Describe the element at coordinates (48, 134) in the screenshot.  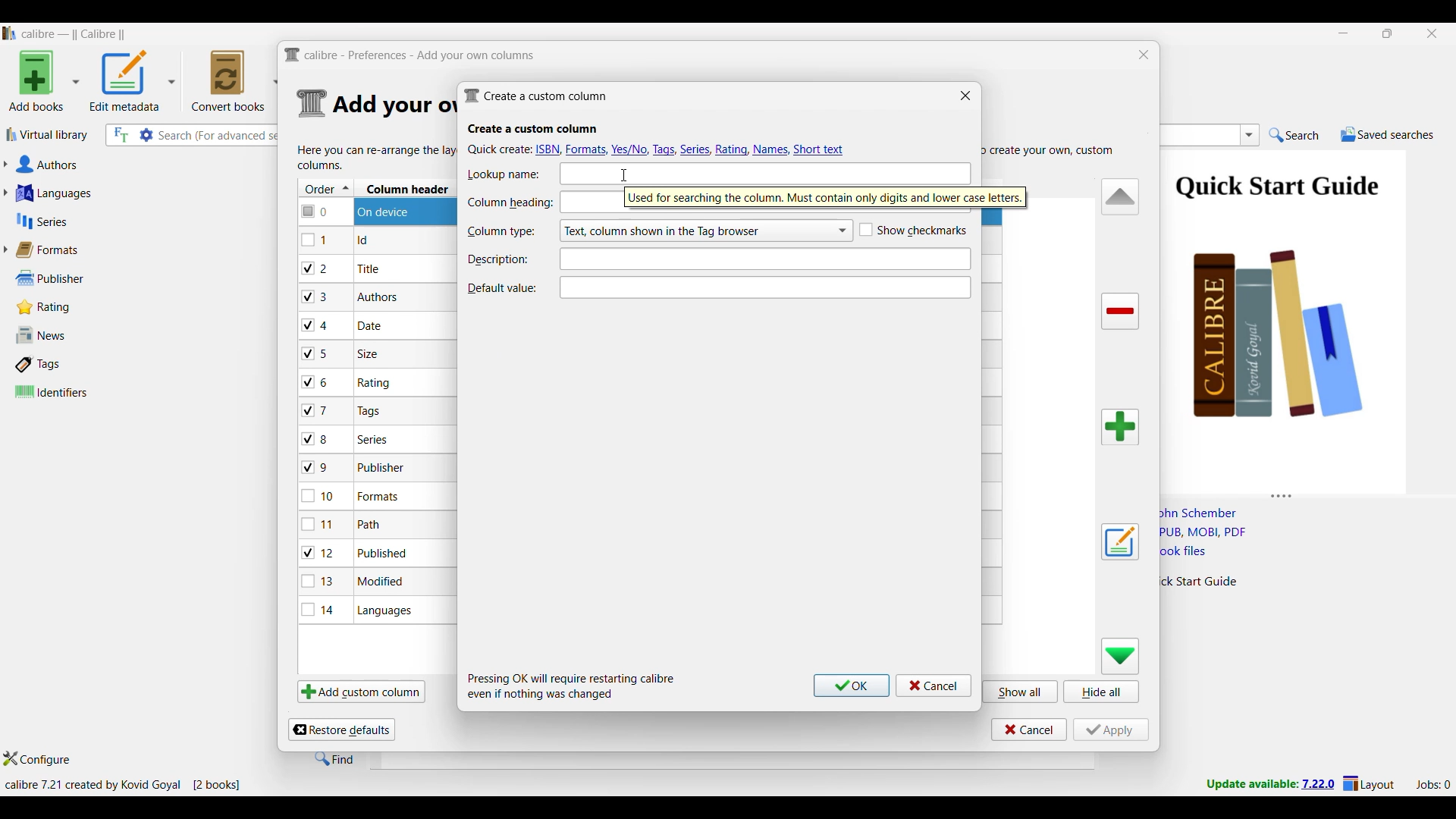
I see `Virtual library` at that location.